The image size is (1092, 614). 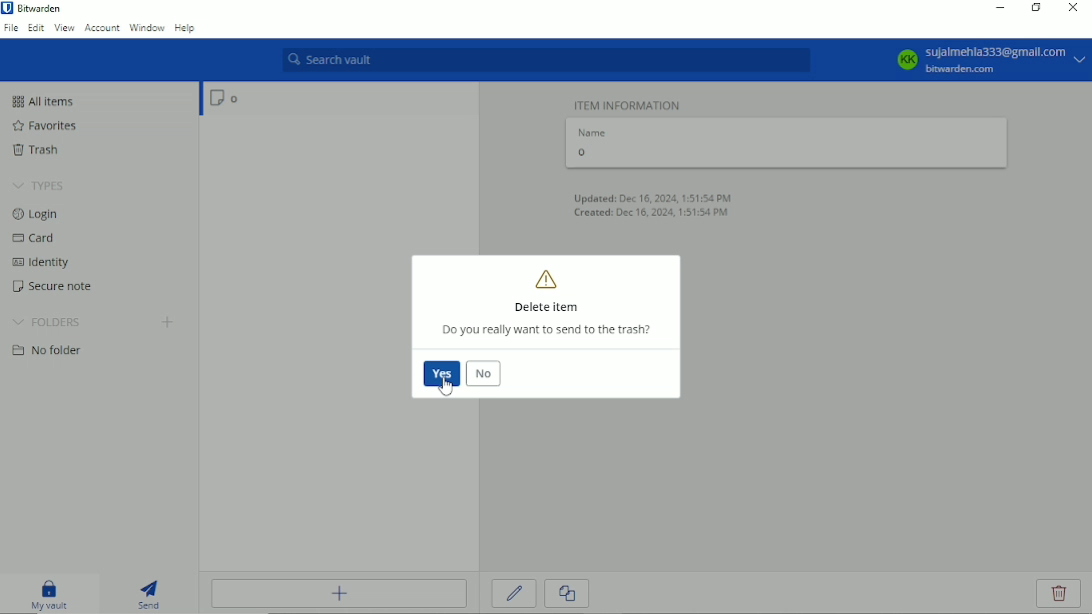 I want to click on Help, so click(x=186, y=27).